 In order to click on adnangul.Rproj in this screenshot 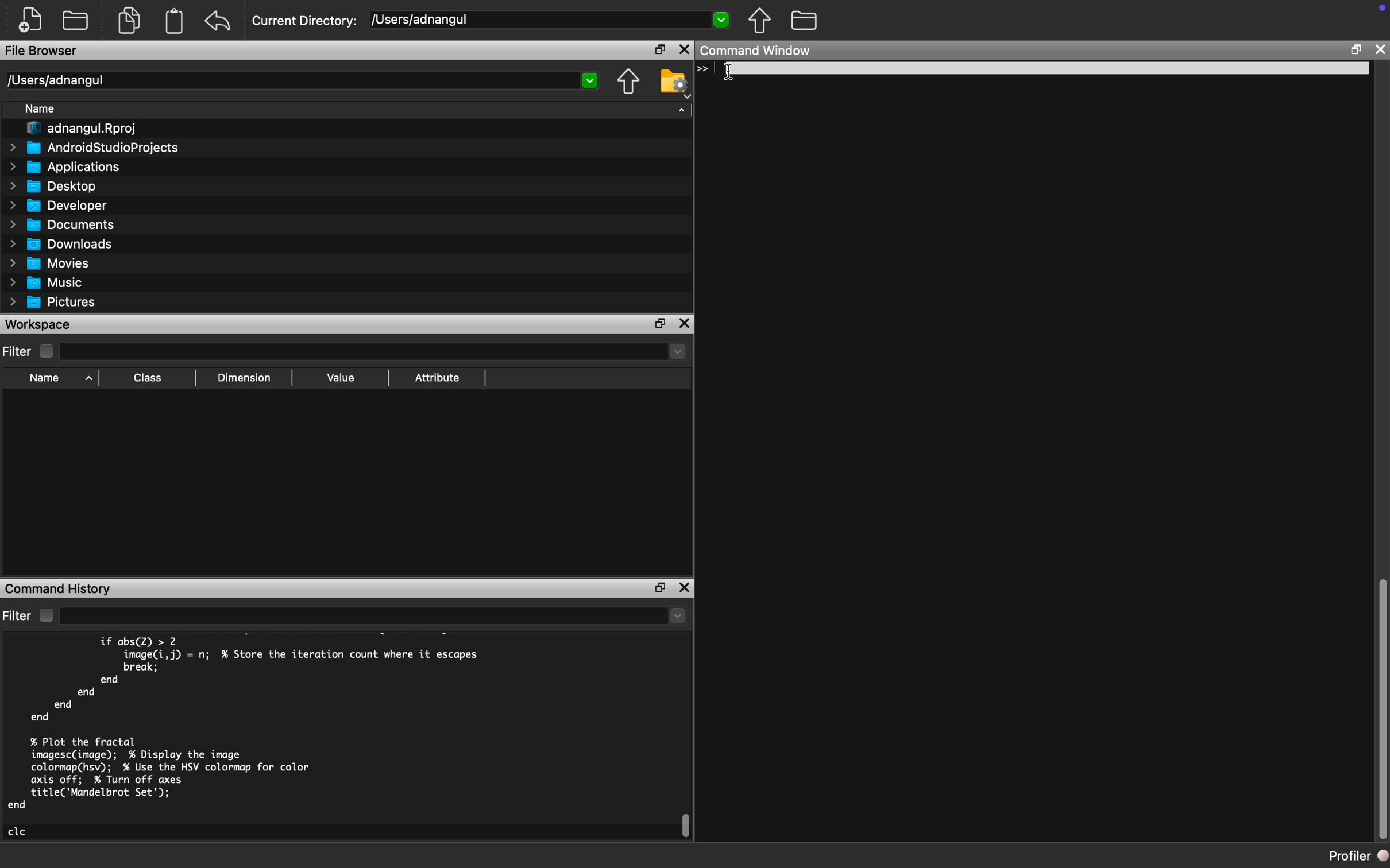, I will do `click(83, 129)`.